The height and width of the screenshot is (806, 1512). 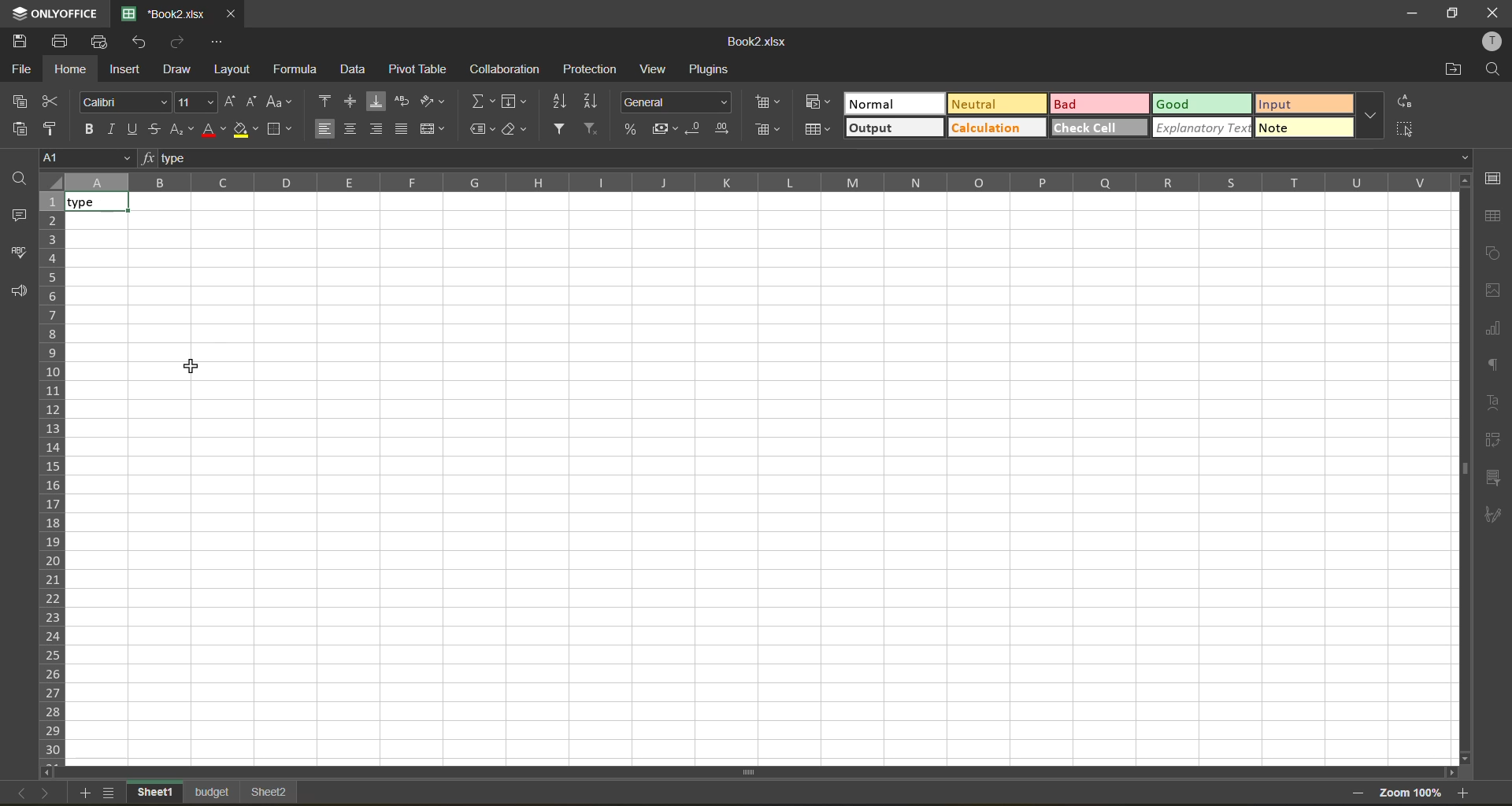 What do you see at coordinates (431, 102) in the screenshot?
I see `orientation` at bounding box center [431, 102].